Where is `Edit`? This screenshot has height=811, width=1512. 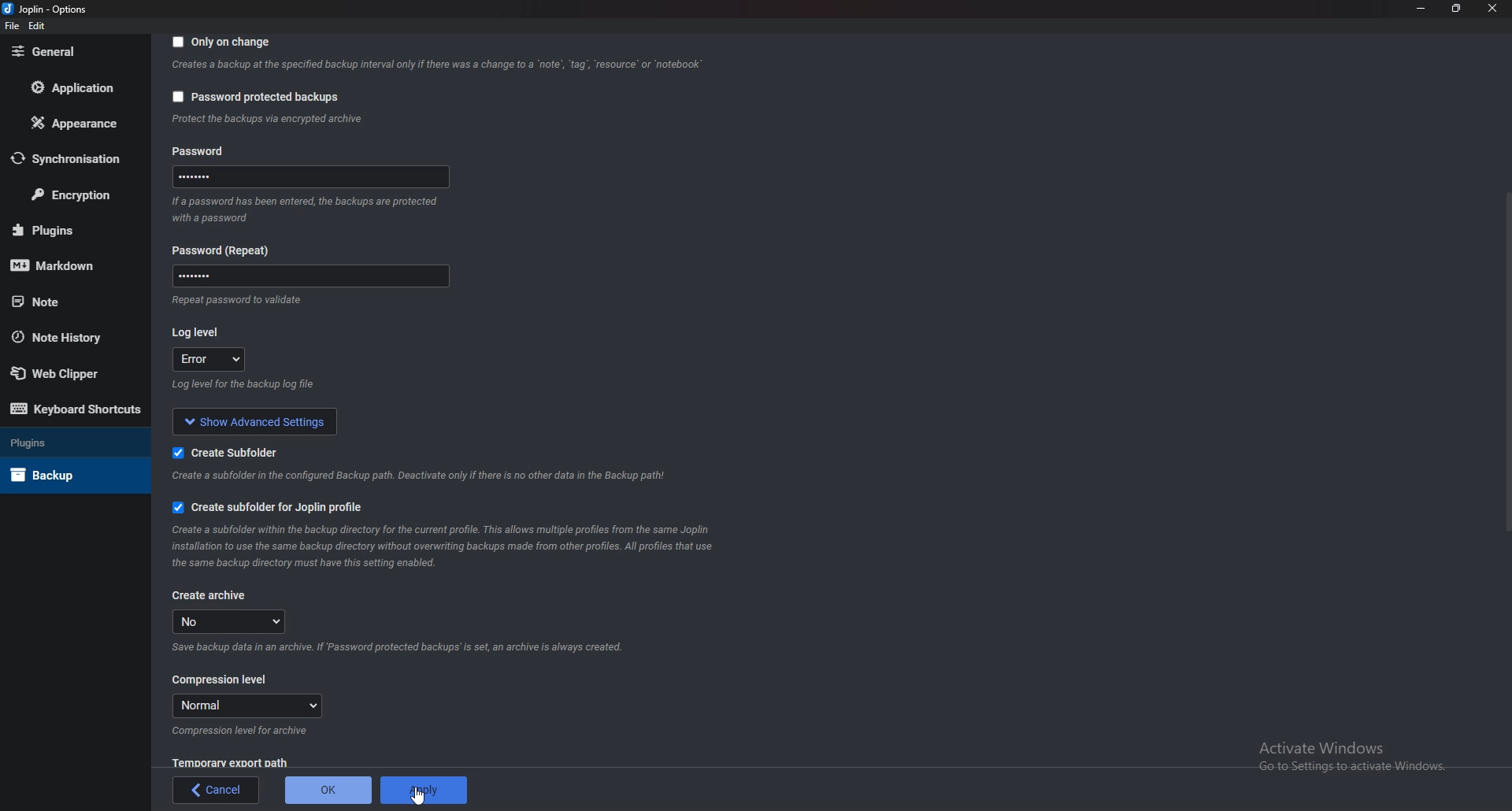
Edit is located at coordinates (38, 26).